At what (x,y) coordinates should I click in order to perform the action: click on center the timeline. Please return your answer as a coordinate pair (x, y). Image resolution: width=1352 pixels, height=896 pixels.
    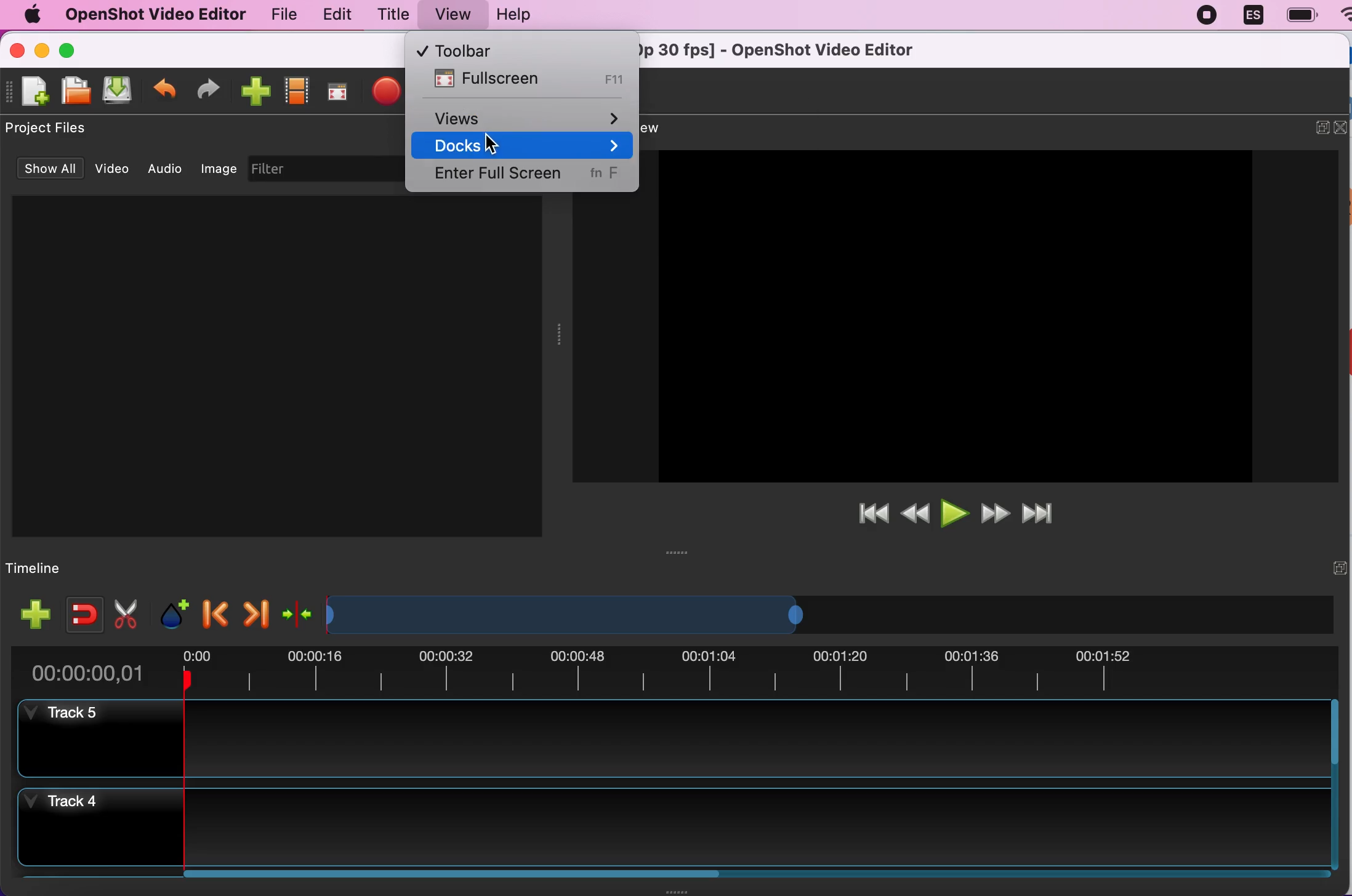
    Looking at the image, I should click on (298, 611).